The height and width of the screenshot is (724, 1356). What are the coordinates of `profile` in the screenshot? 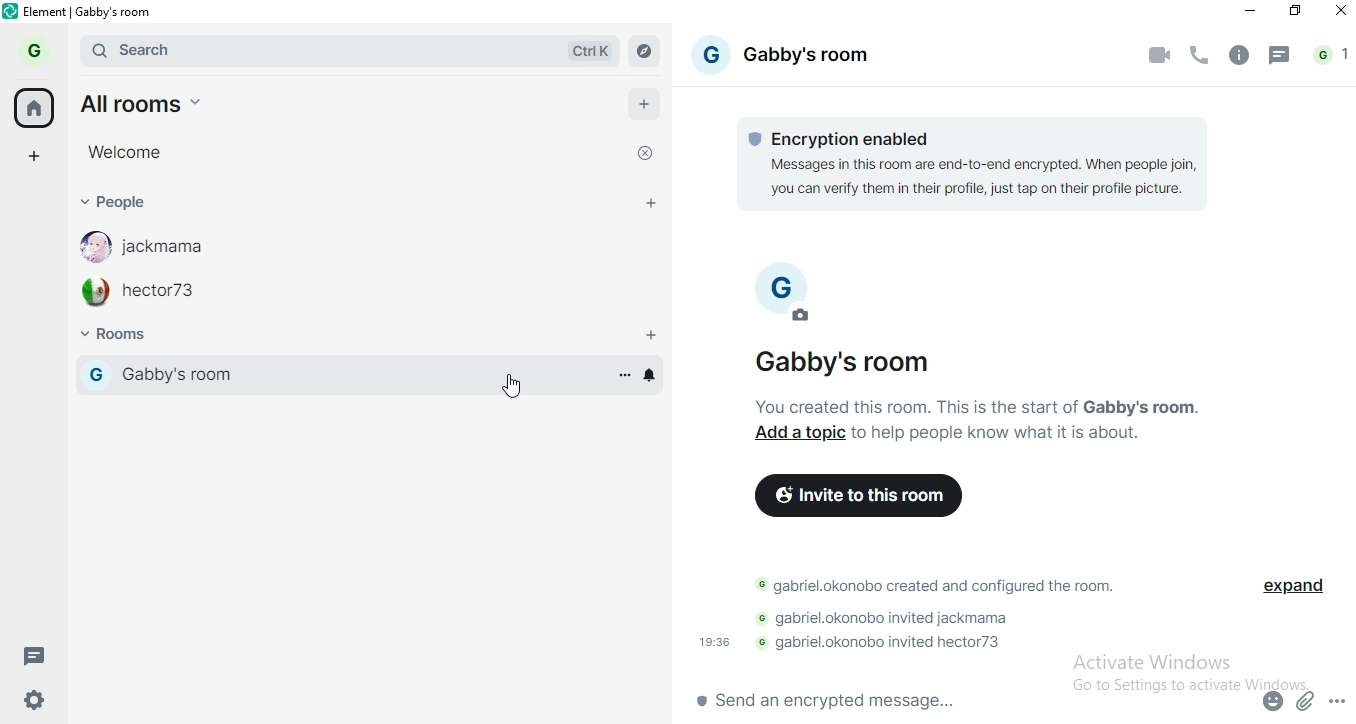 It's located at (32, 50).